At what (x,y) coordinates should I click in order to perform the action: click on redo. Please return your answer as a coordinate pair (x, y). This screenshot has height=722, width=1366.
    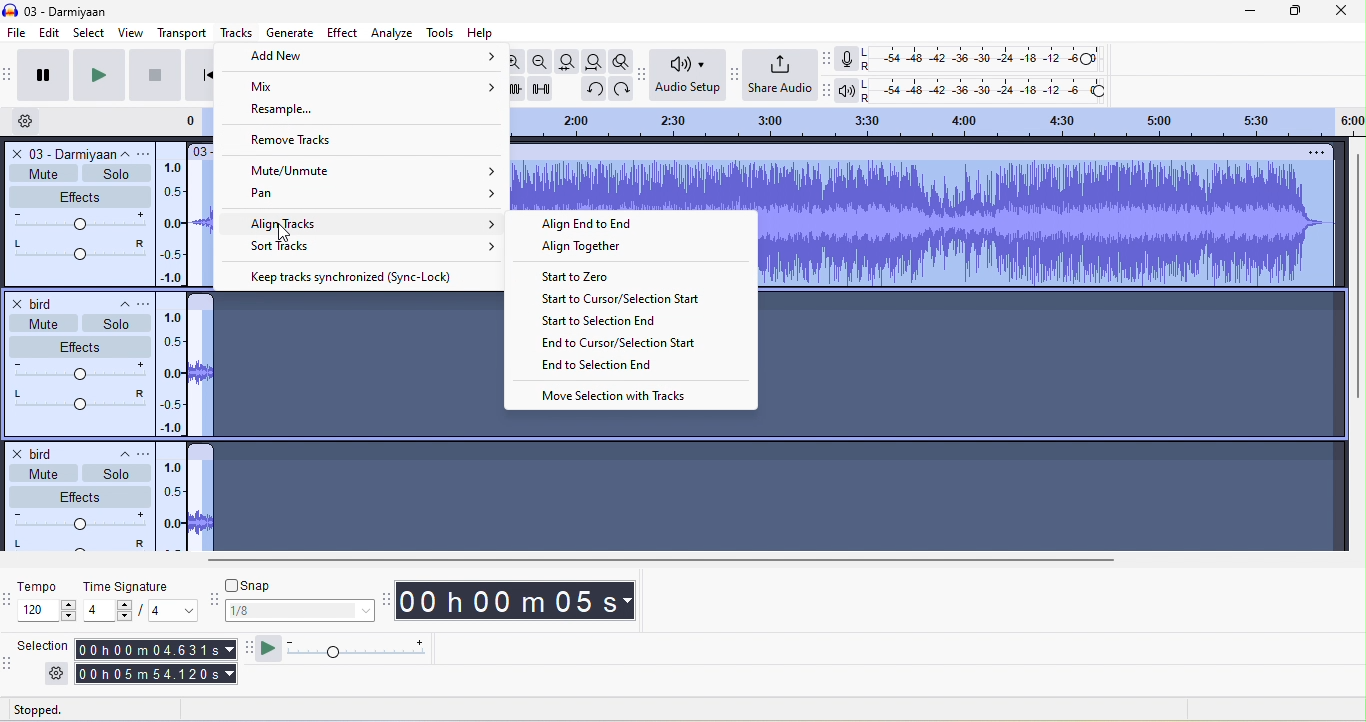
    Looking at the image, I should click on (623, 88).